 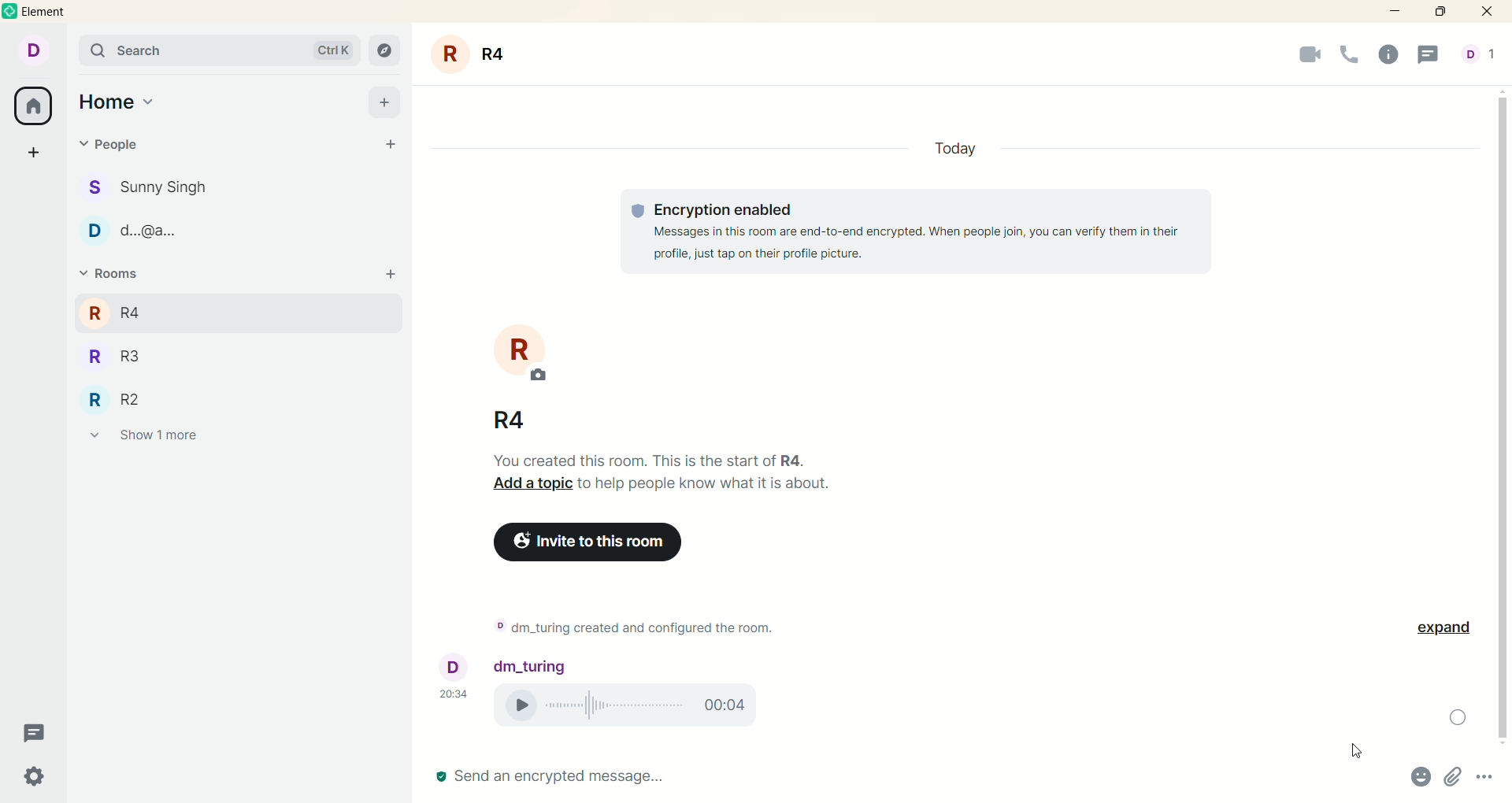 What do you see at coordinates (34, 154) in the screenshot?
I see `create a space` at bounding box center [34, 154].